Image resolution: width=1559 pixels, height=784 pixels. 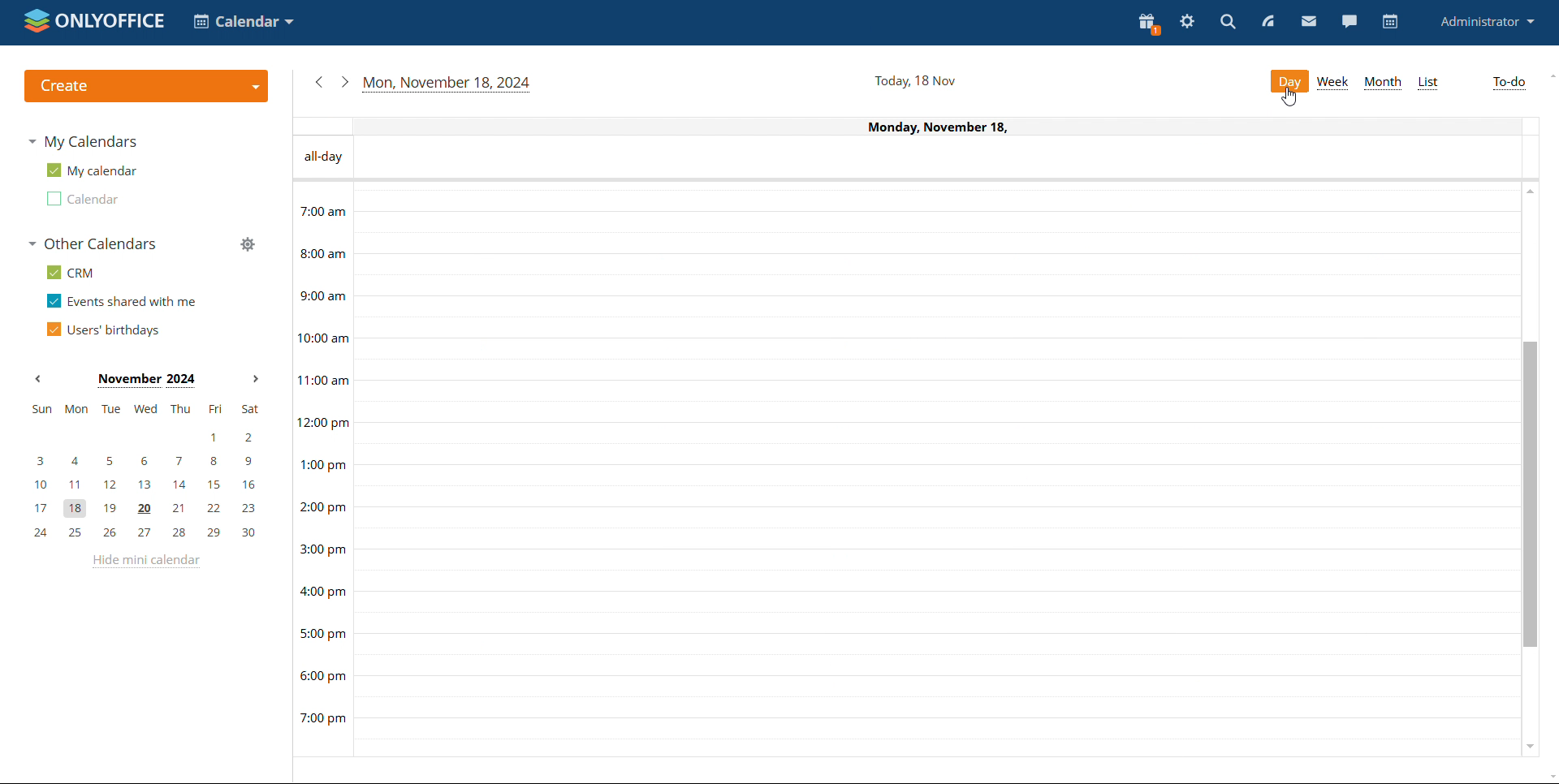 I want to click on my calendar, so click(x=91, y=170).